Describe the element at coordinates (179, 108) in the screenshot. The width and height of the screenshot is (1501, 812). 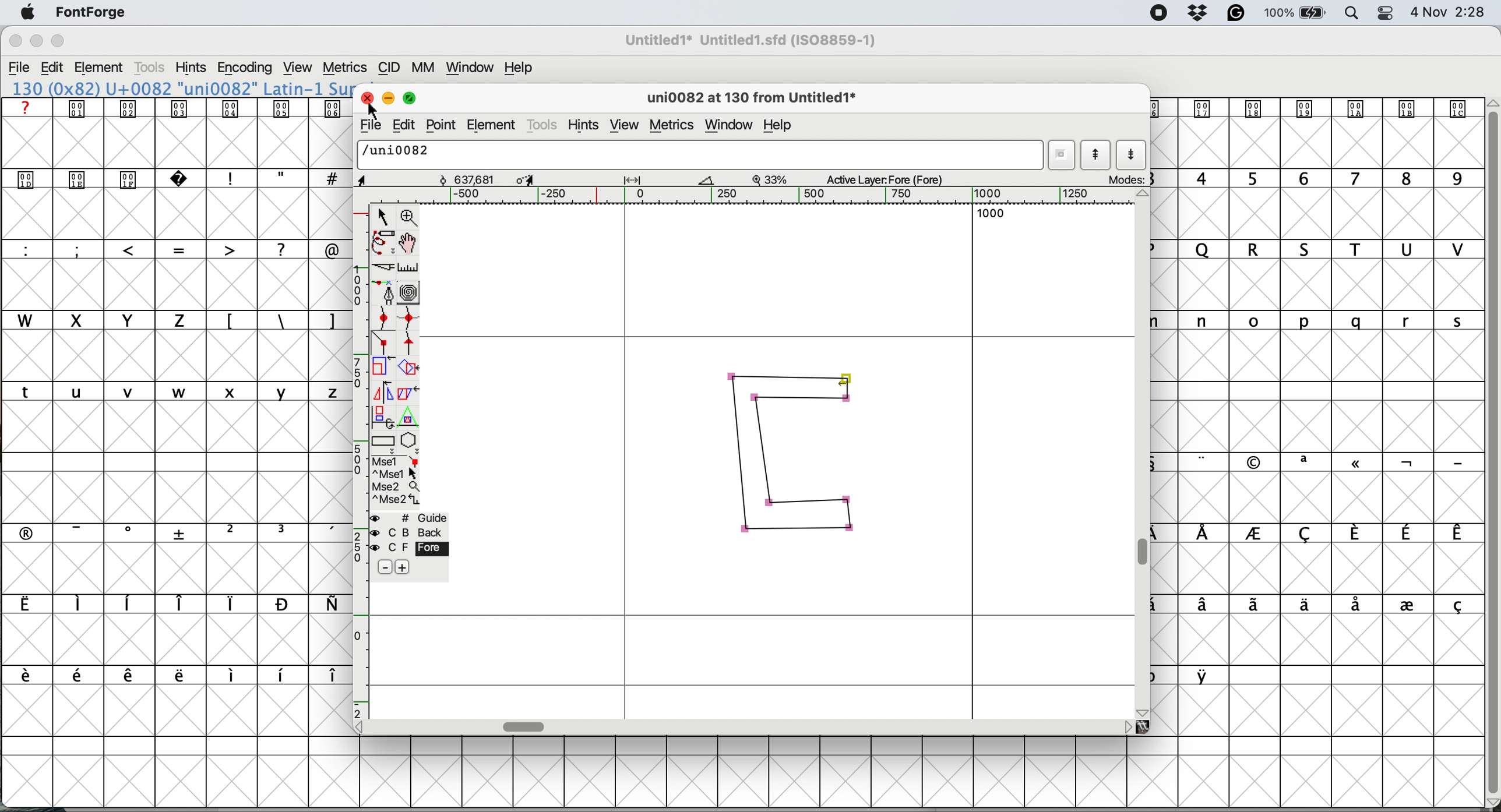
I see `symbols` at that location.